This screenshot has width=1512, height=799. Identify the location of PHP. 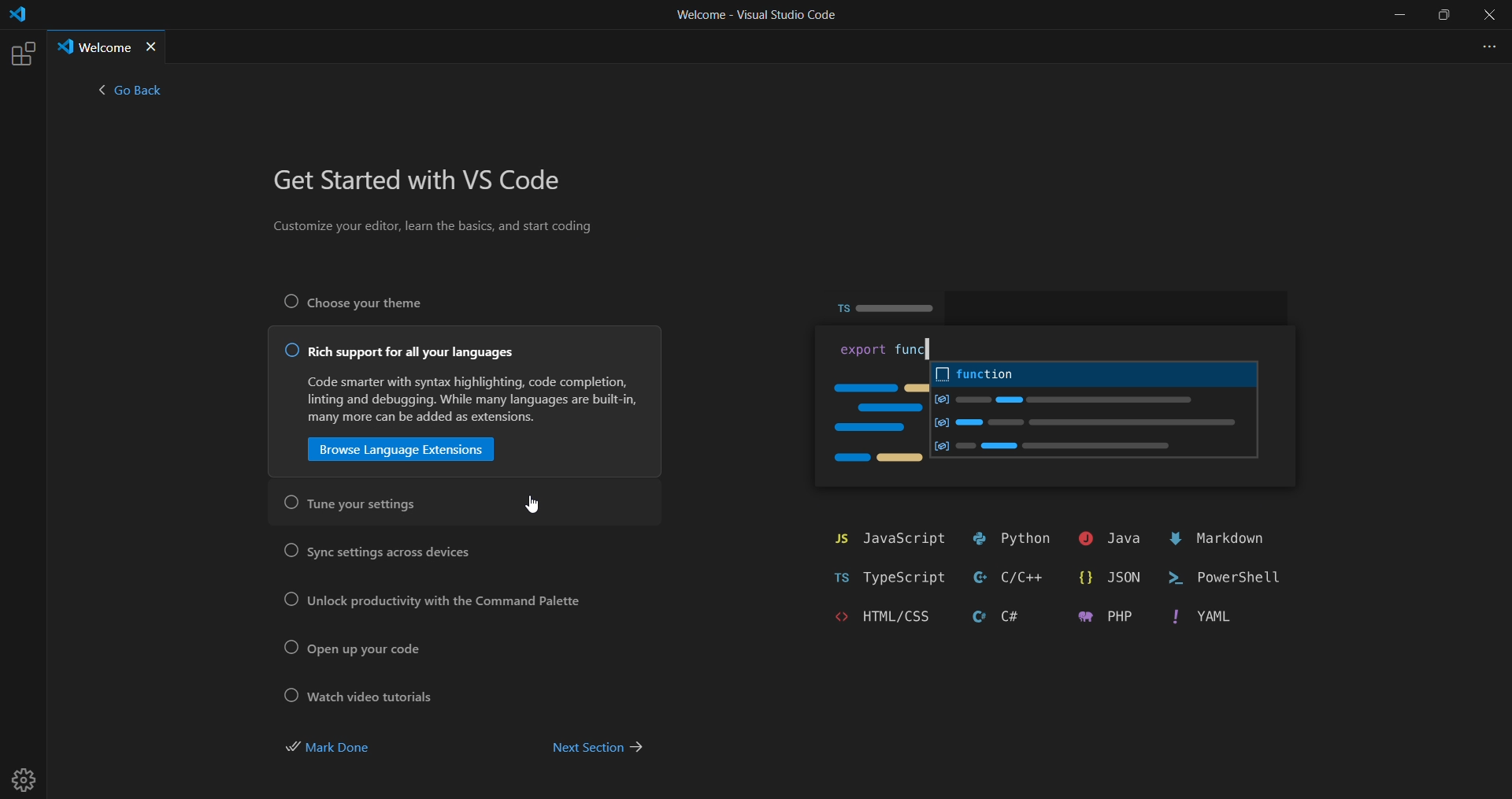
(1098, 619).